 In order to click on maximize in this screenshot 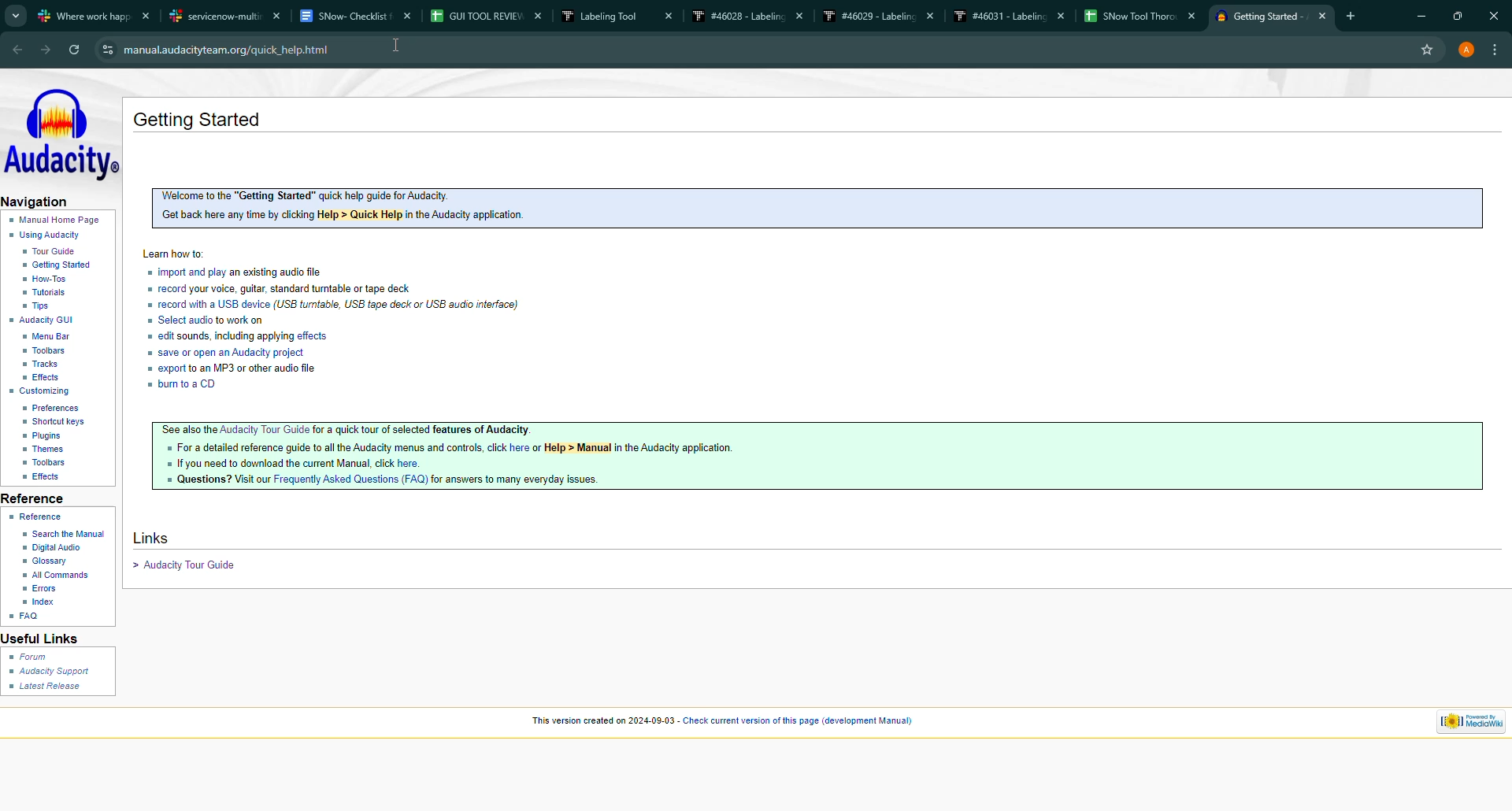, I will do `click(1456, 17)`.